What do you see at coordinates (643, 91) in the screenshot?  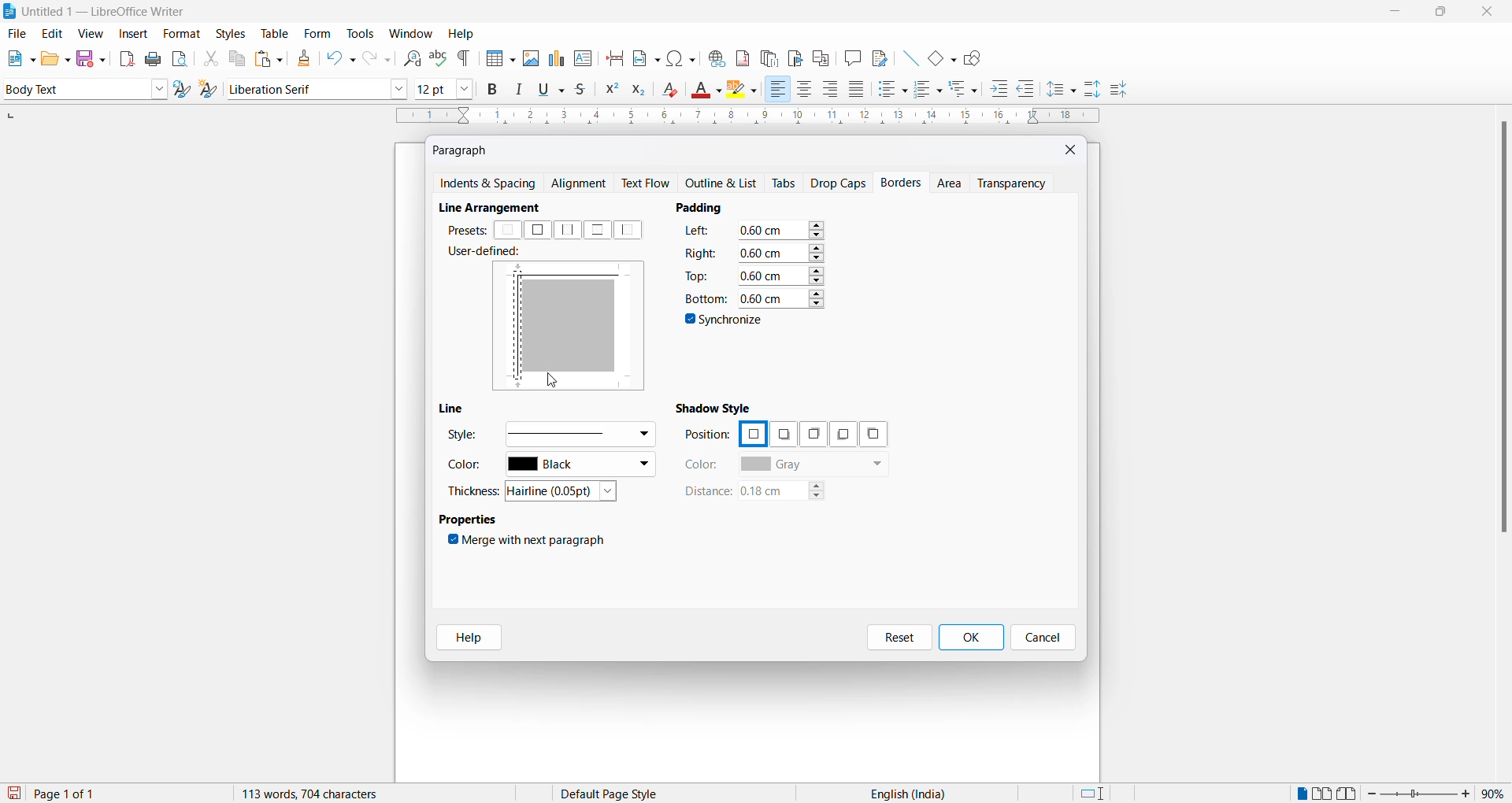 I see `subscript` at bounding box center [643, 91].